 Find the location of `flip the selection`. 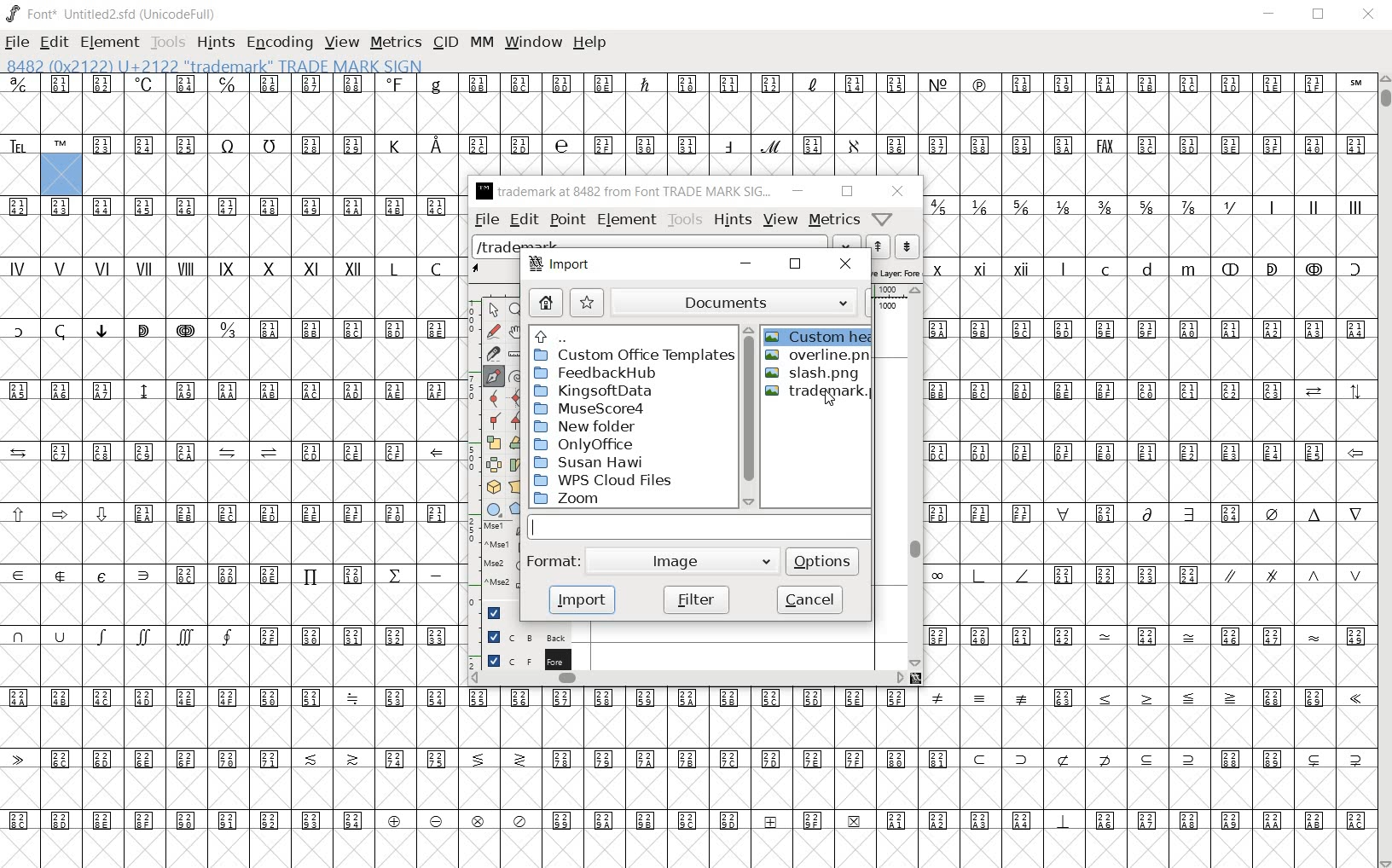

flip the selection is located at coordinates (494, 465).